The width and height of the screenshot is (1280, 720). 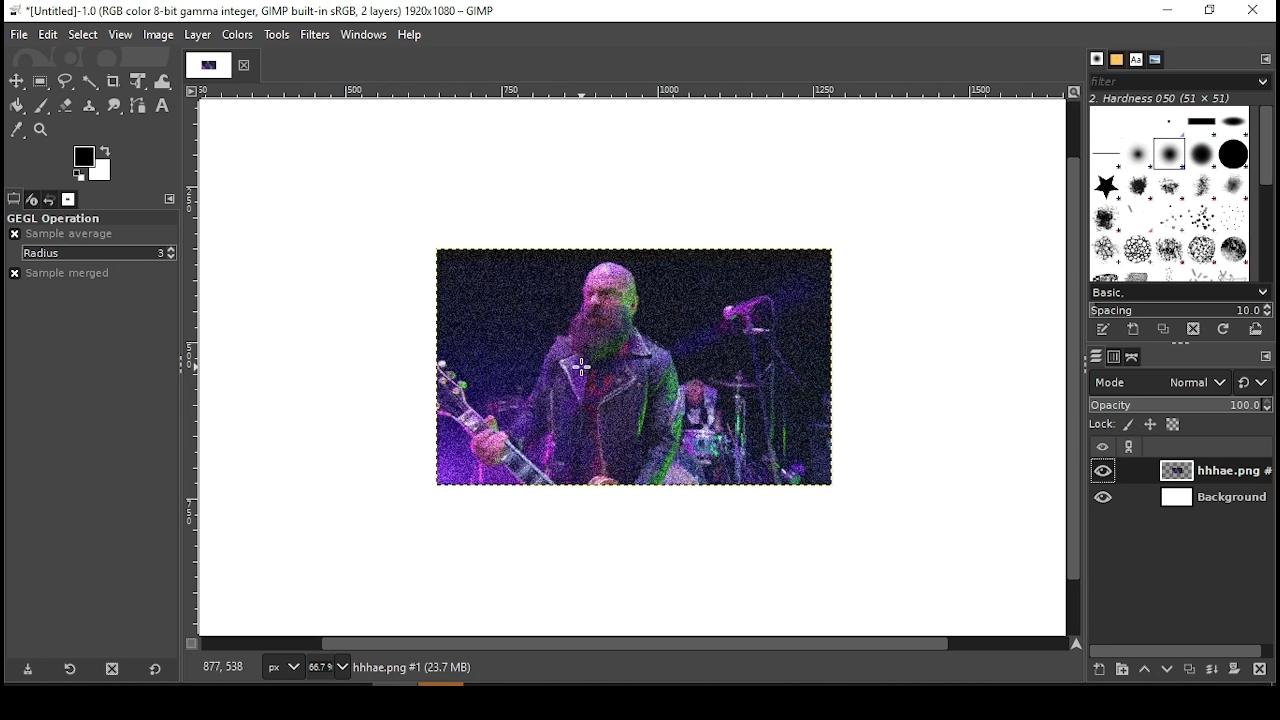 I want to click on free selection tool, so click(x=68, y=82).